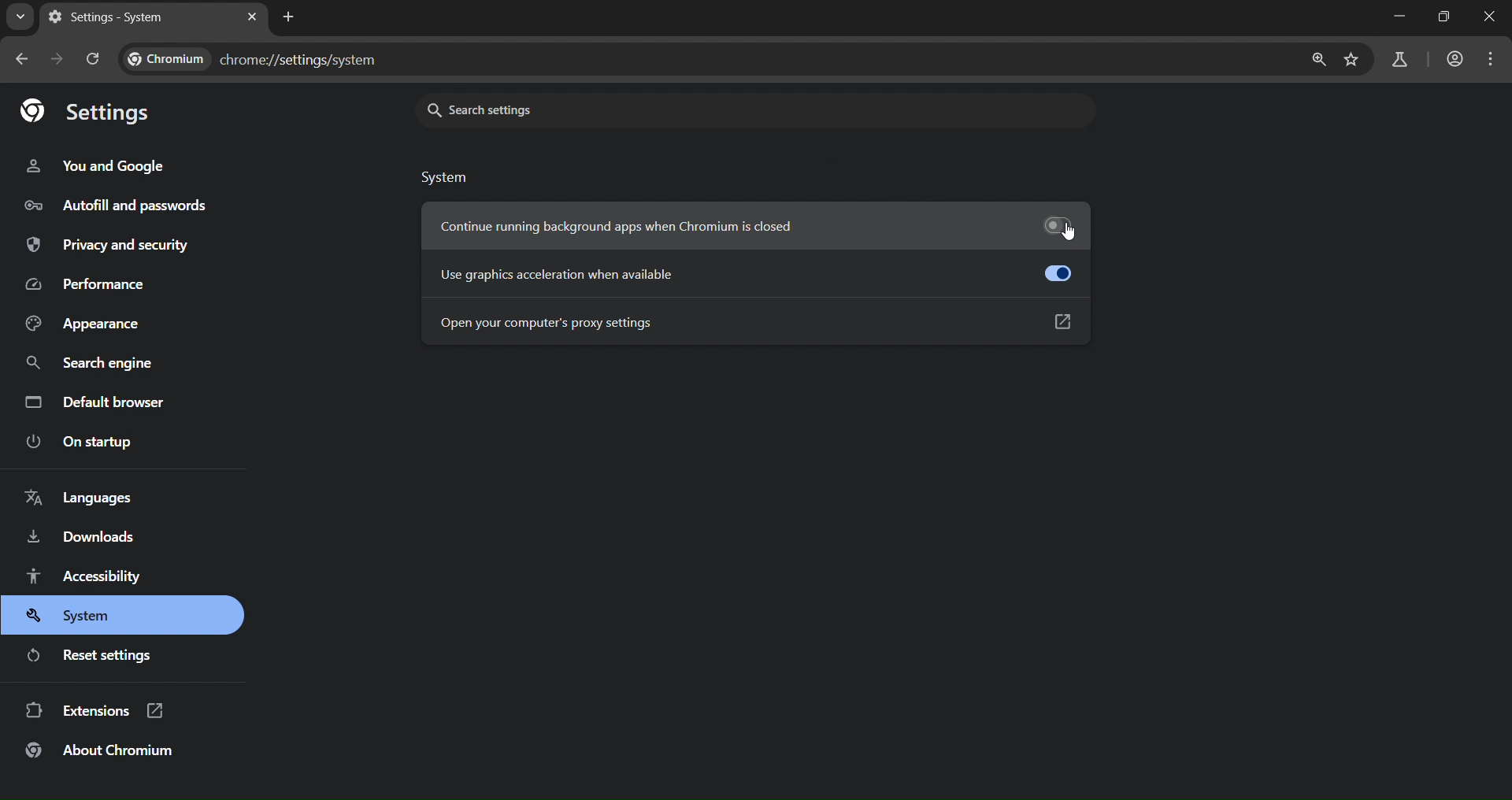  I want to click on reset settings, so click(98, 655).